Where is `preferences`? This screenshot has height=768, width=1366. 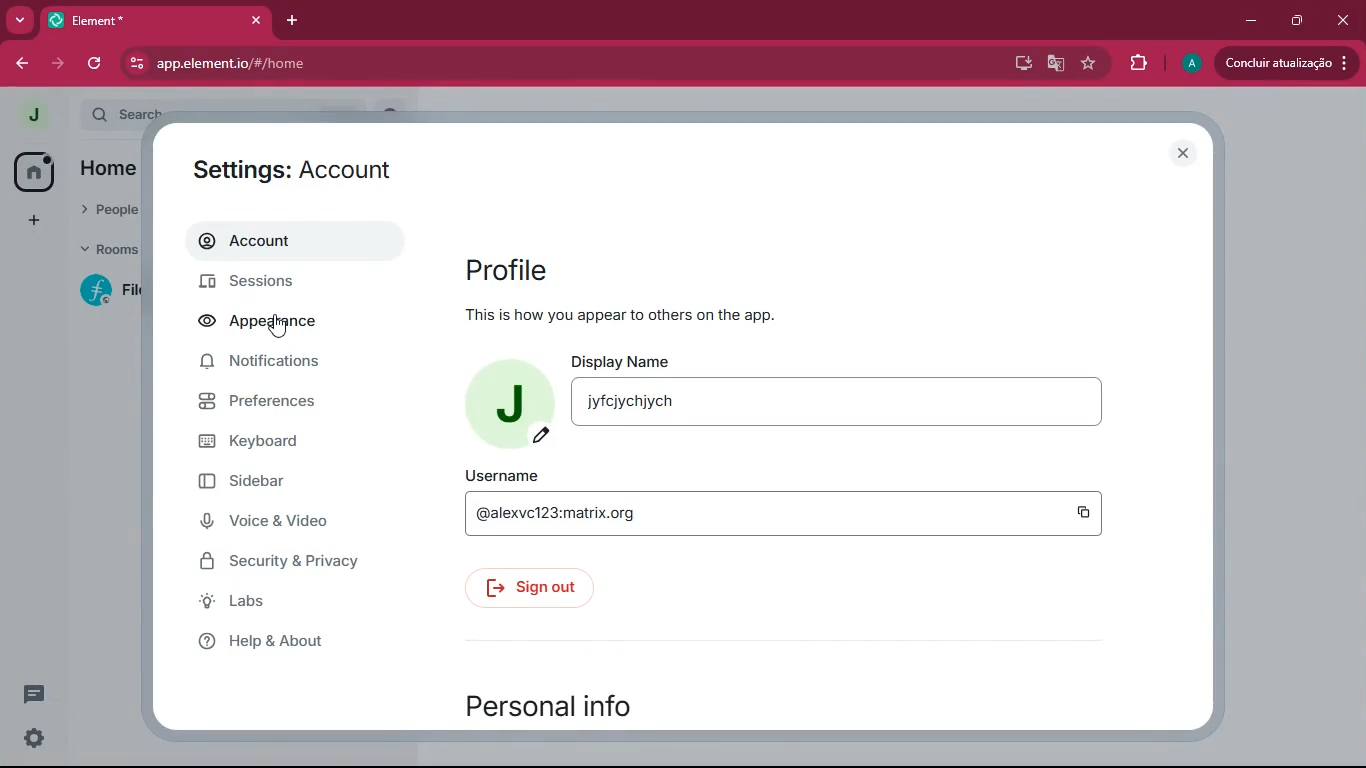 preferences is located at coordinates (291, 406).